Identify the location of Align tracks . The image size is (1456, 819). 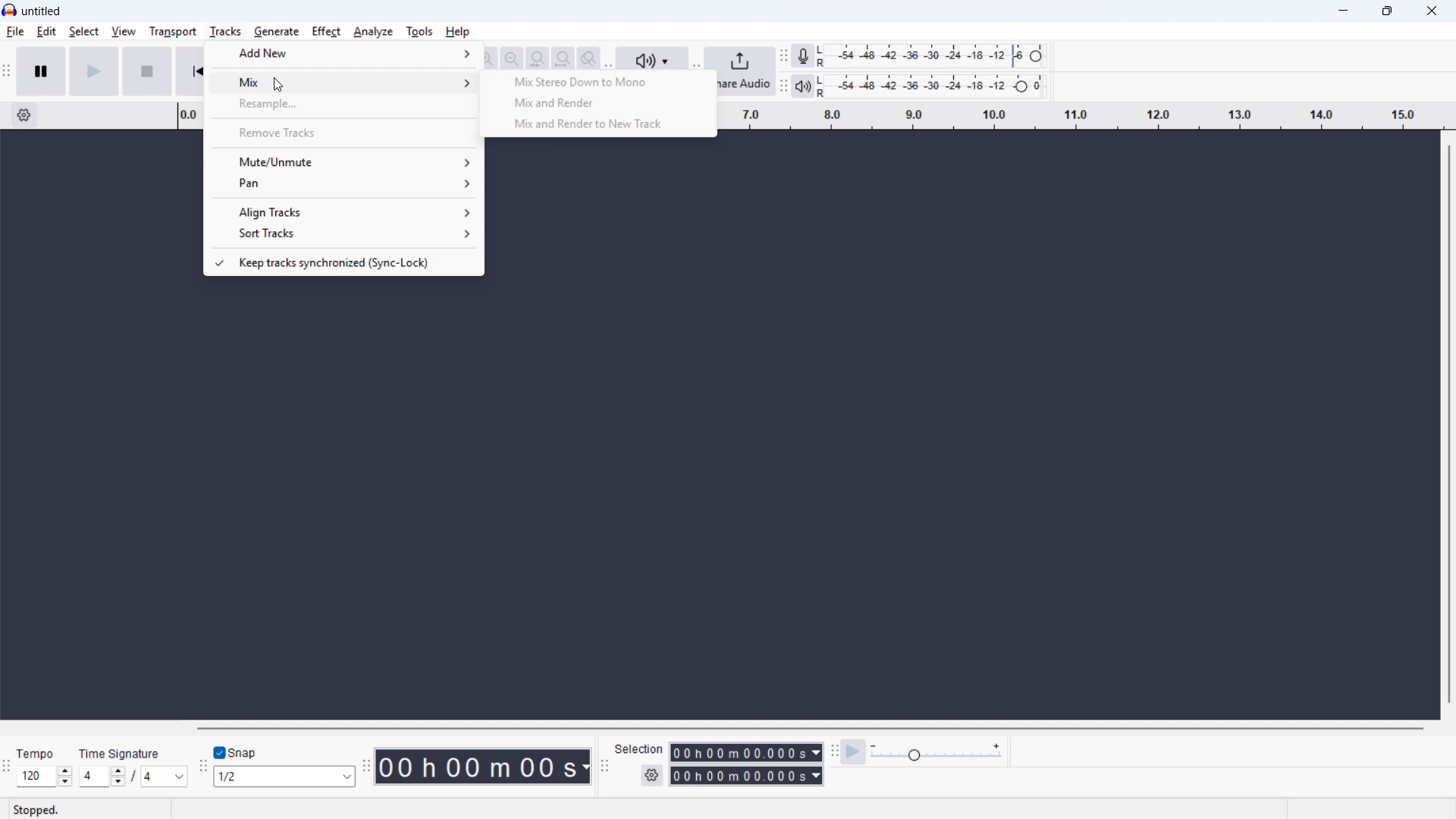
(343, 212).